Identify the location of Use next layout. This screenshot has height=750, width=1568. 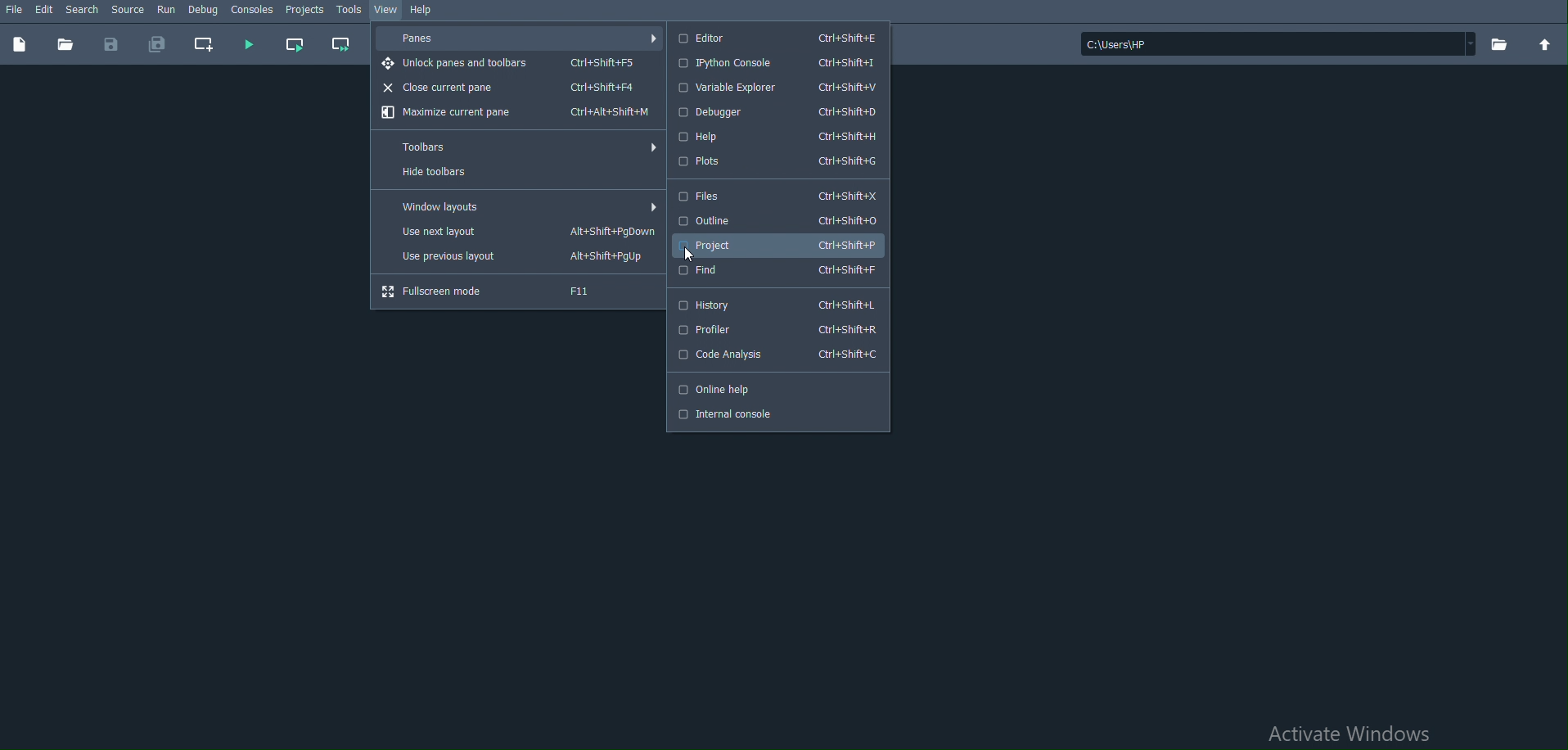
(518, 232).